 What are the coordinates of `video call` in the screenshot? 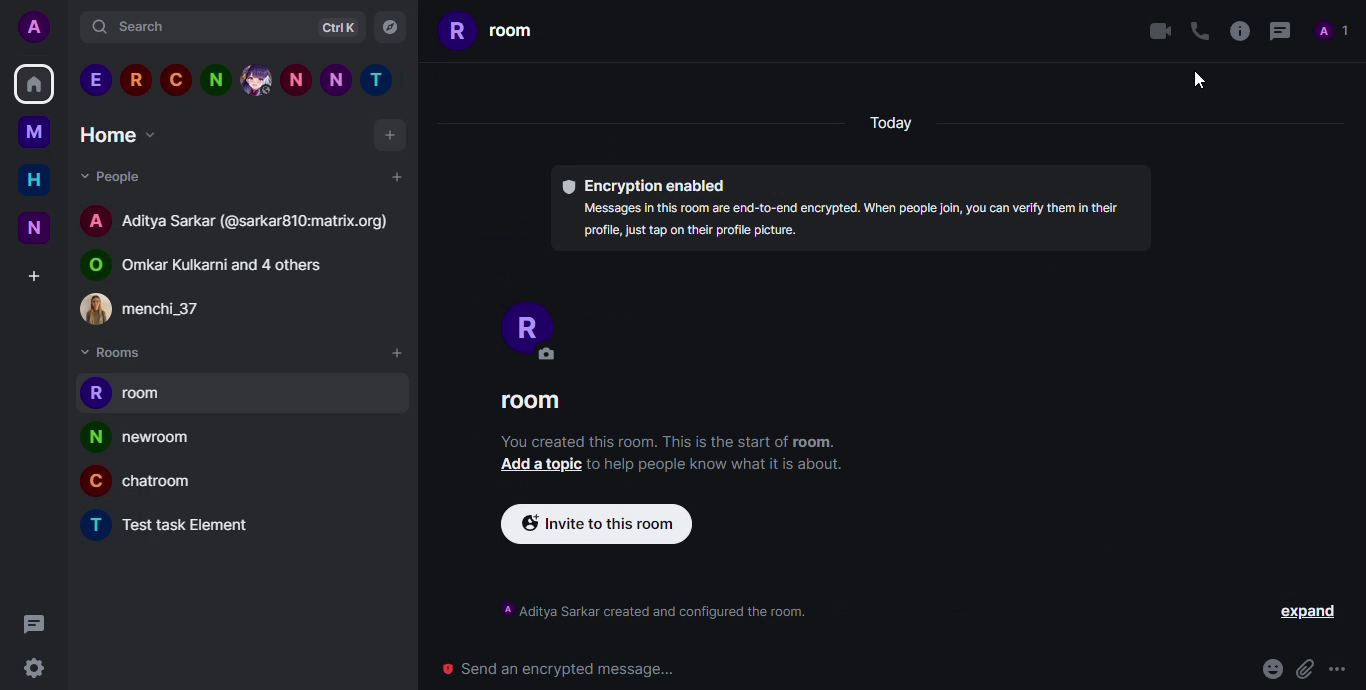 It's located at (1155, 31).